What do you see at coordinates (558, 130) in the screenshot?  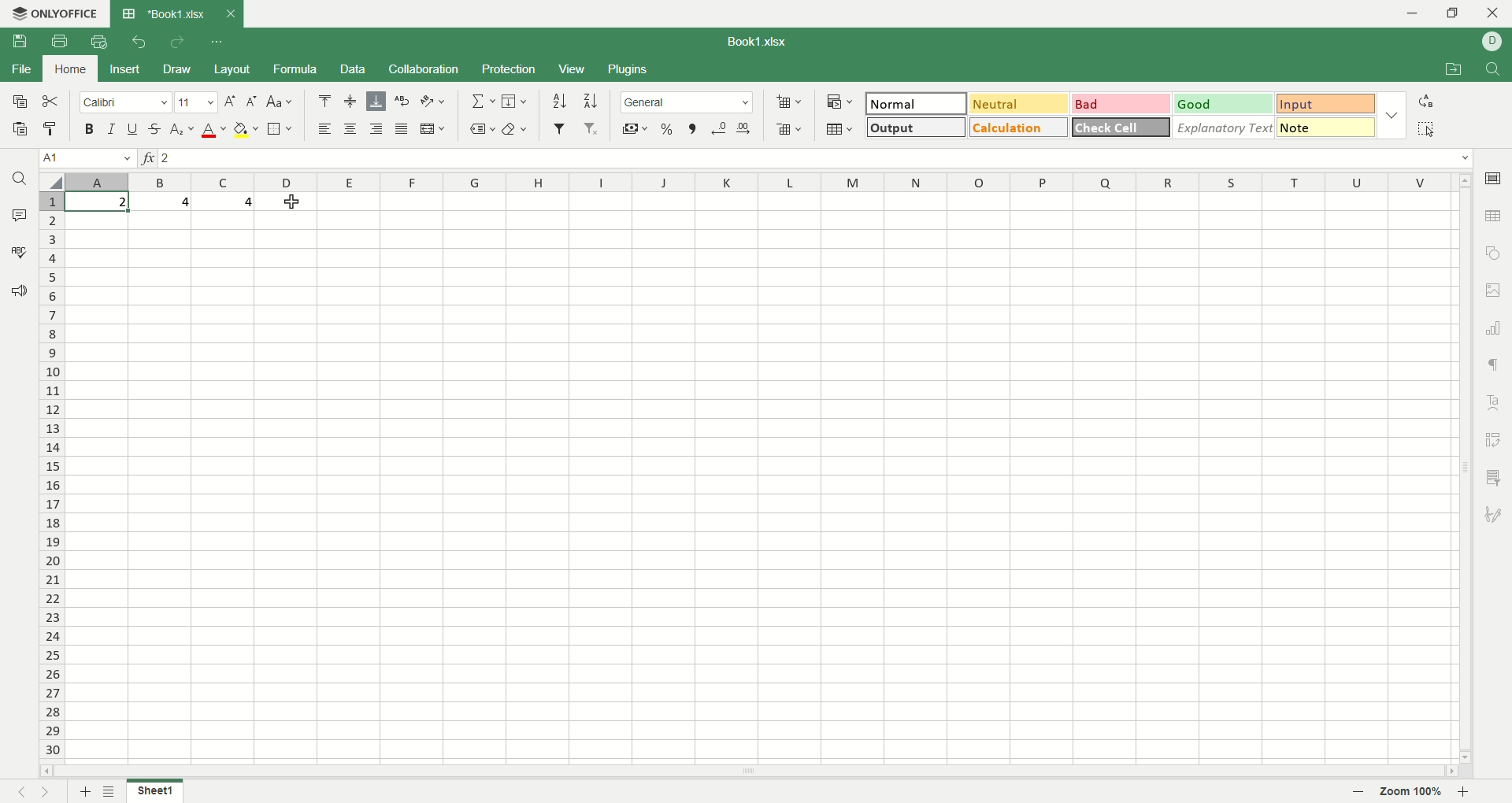 I see `filter` at bounding box center [558, 130].